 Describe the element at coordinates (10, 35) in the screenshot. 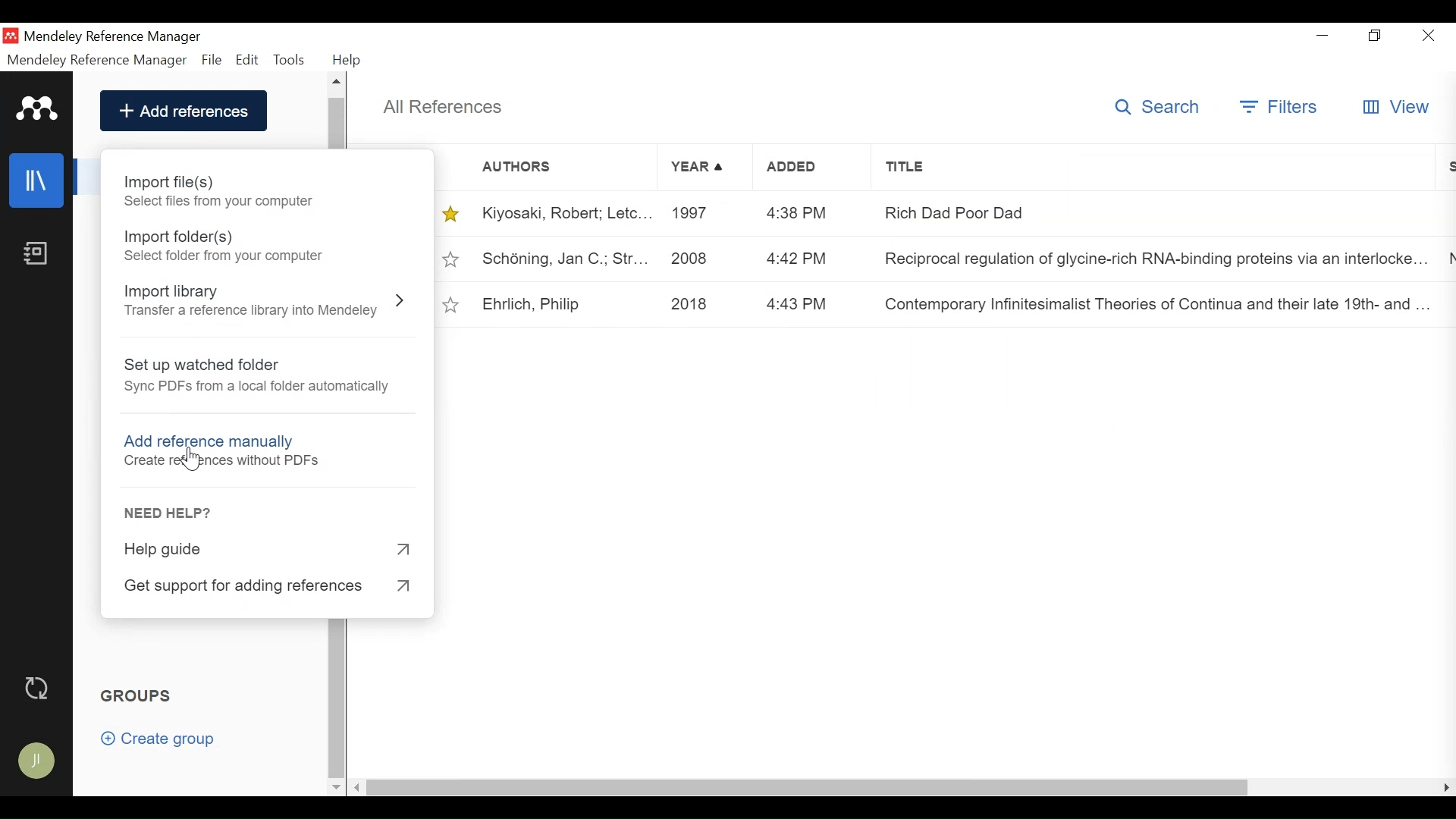

I see `Mendeley Desktop icon` at that location.